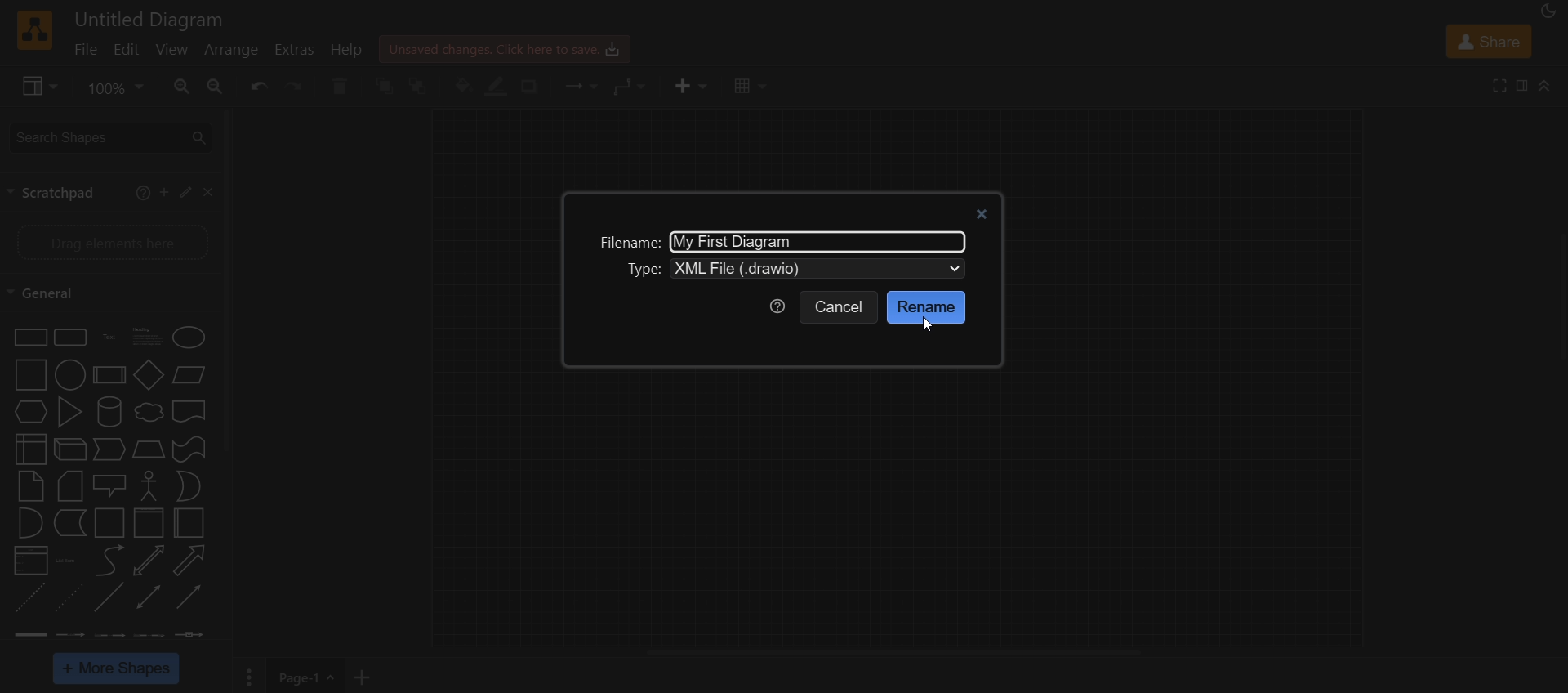 Image resolution: width=1568 pixels, height=693 pixels. What do you see at coordinates (181, 87) in the screenshot?
I see `zoom in` at bounding box center [181, 87].